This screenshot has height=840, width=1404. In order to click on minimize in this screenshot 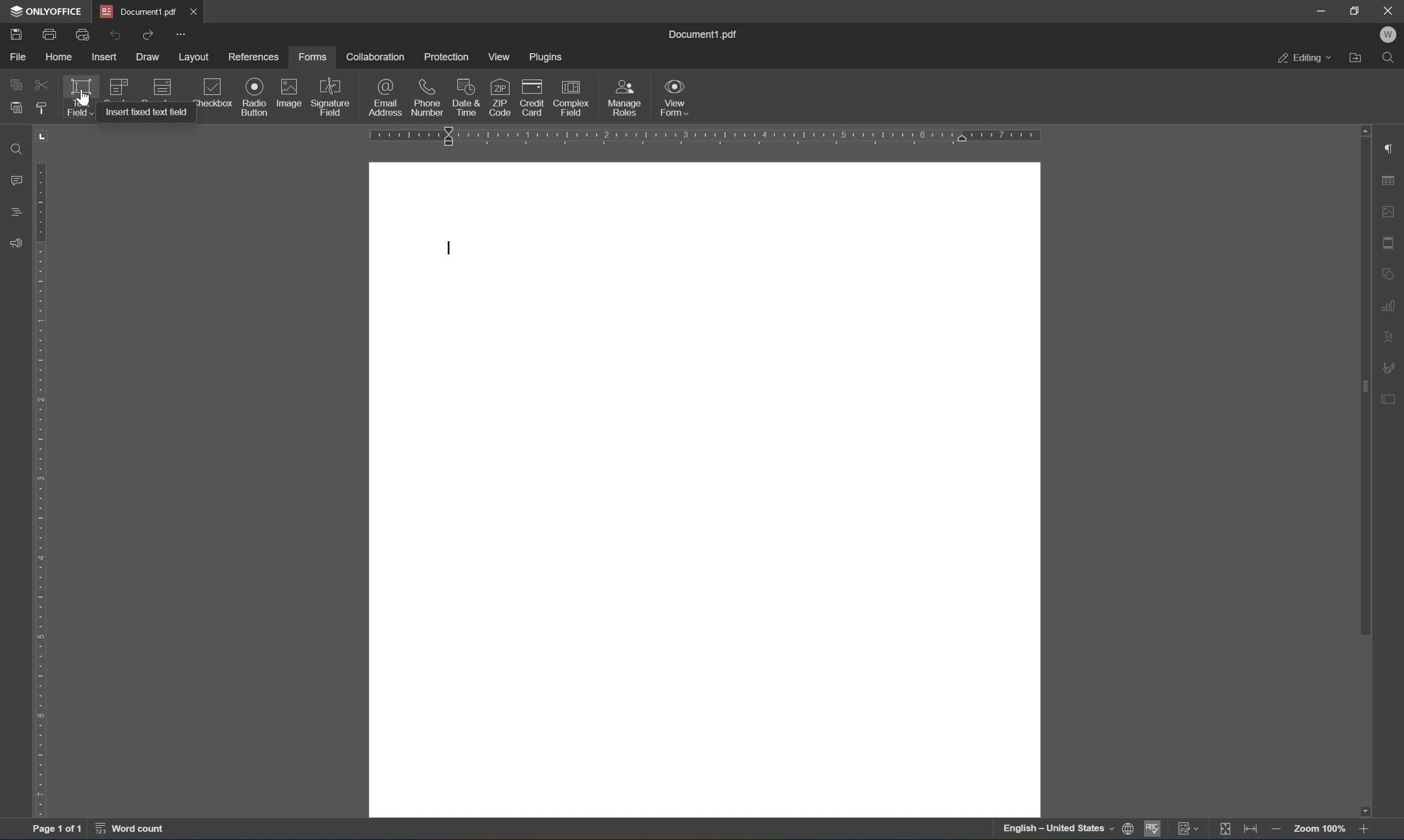, I will do `click(1320, 10)`.